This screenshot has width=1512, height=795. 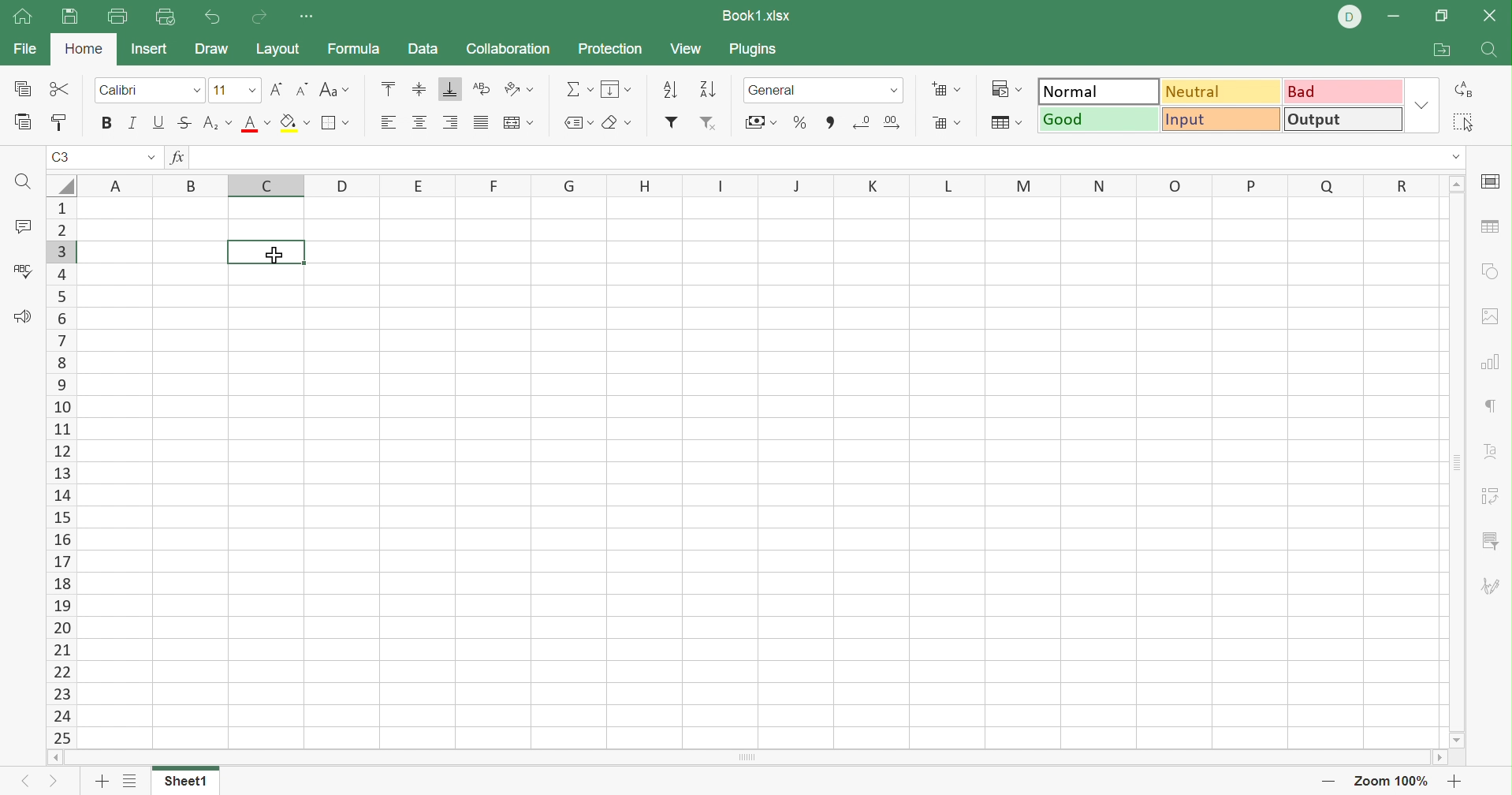 What do you see at coordinates (182, 156) in the screenshot?
I see `fx` at bounding box center [182, 156].